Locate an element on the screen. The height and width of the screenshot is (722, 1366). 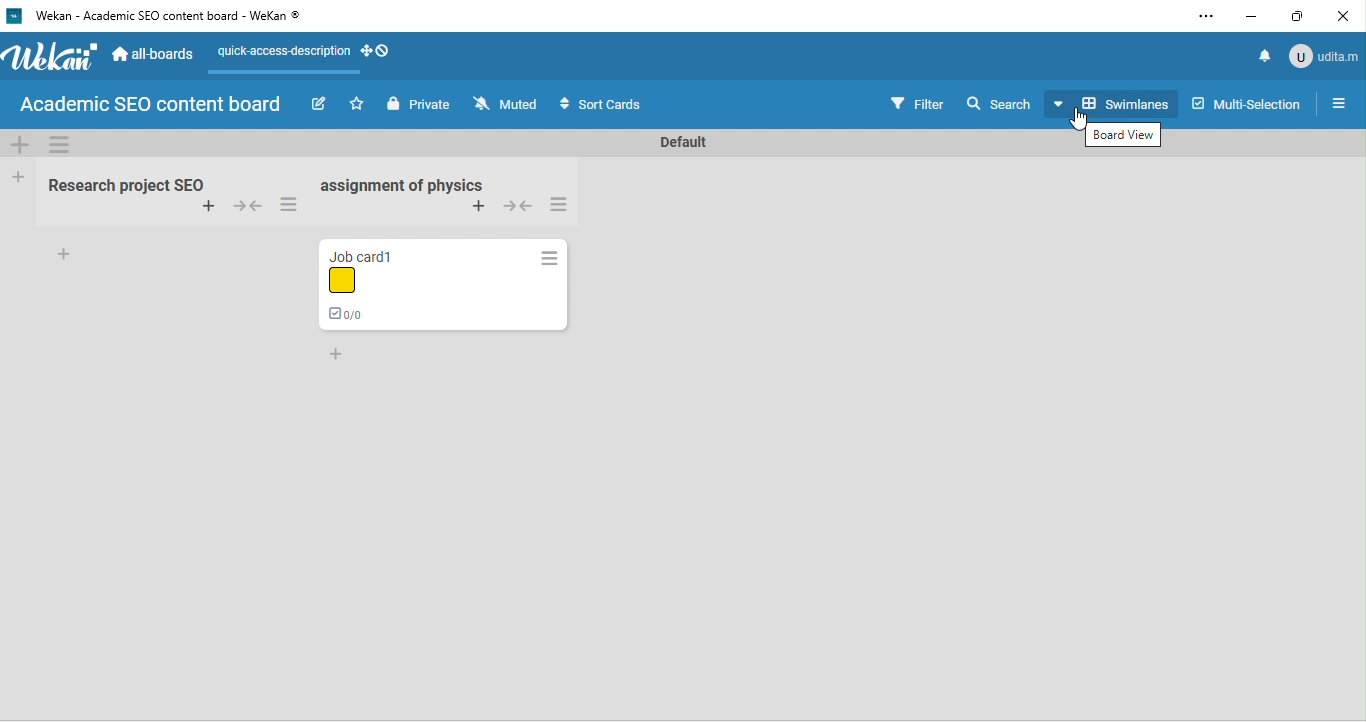
open sidebar is located at coordinates (1341, 103).